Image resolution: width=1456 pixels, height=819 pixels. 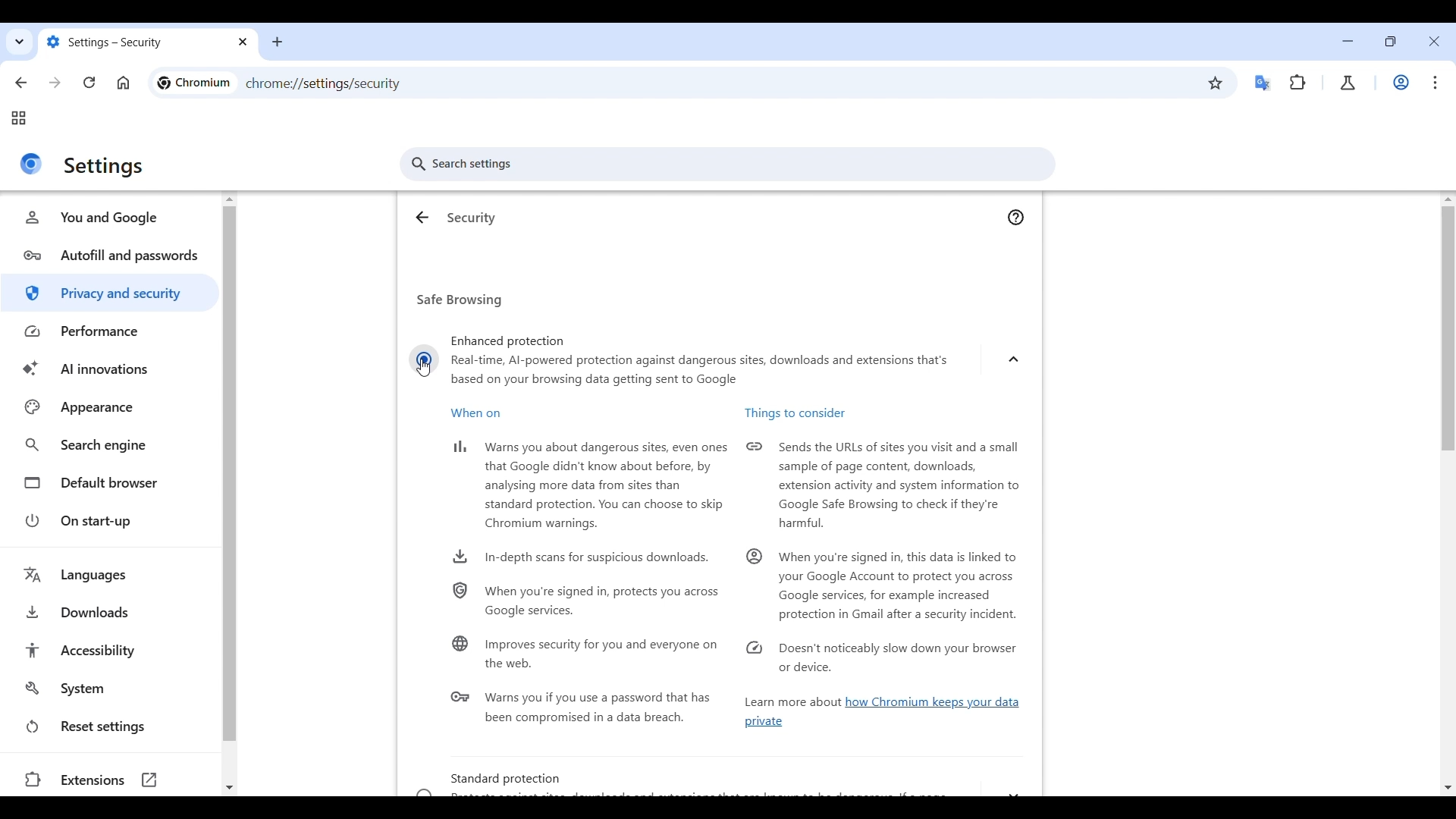 I want to click on Accessibility, so click(x=112, y=650).